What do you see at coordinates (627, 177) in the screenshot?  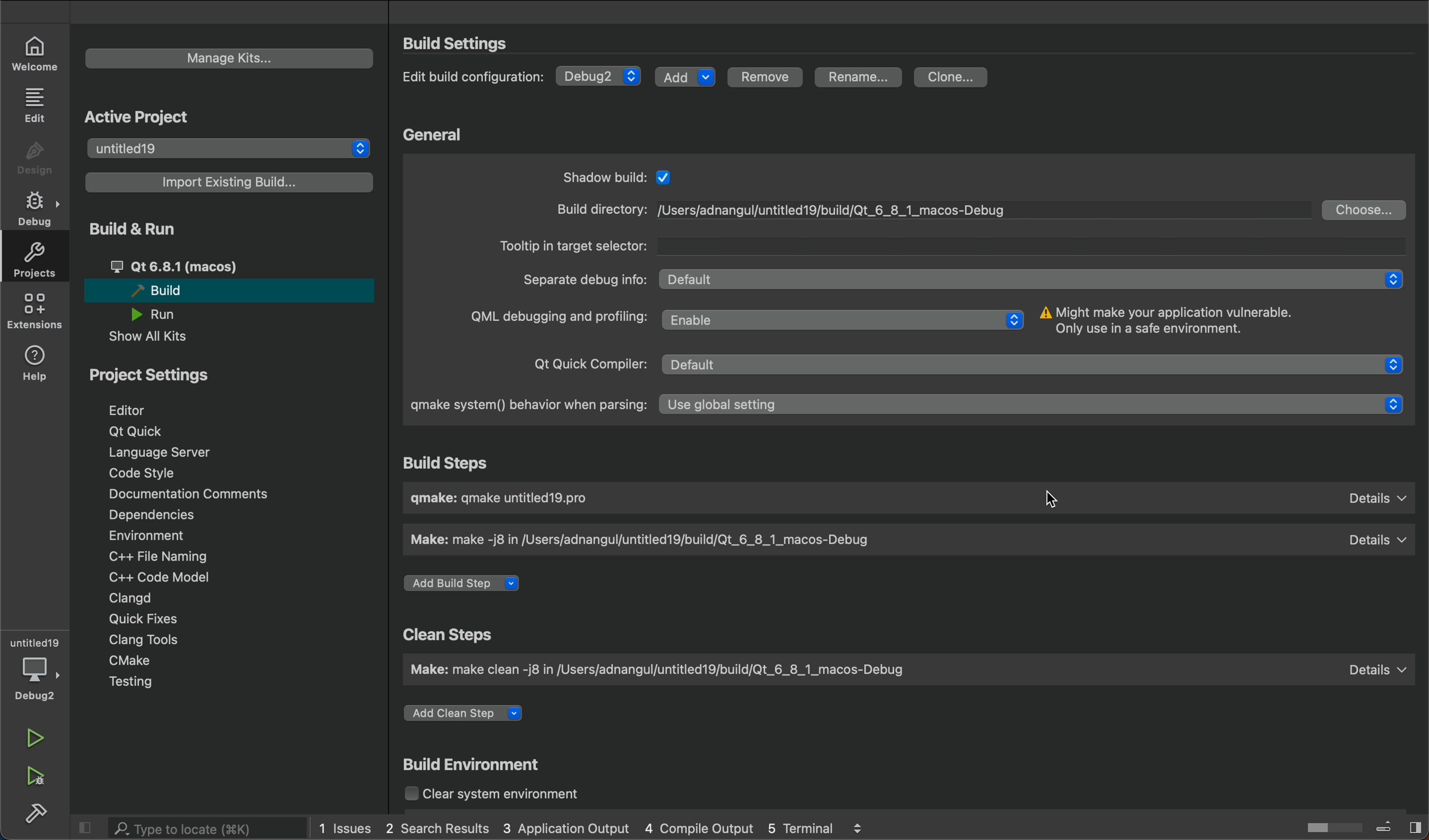 I see `shadow build` at bounding box center [627, 177].